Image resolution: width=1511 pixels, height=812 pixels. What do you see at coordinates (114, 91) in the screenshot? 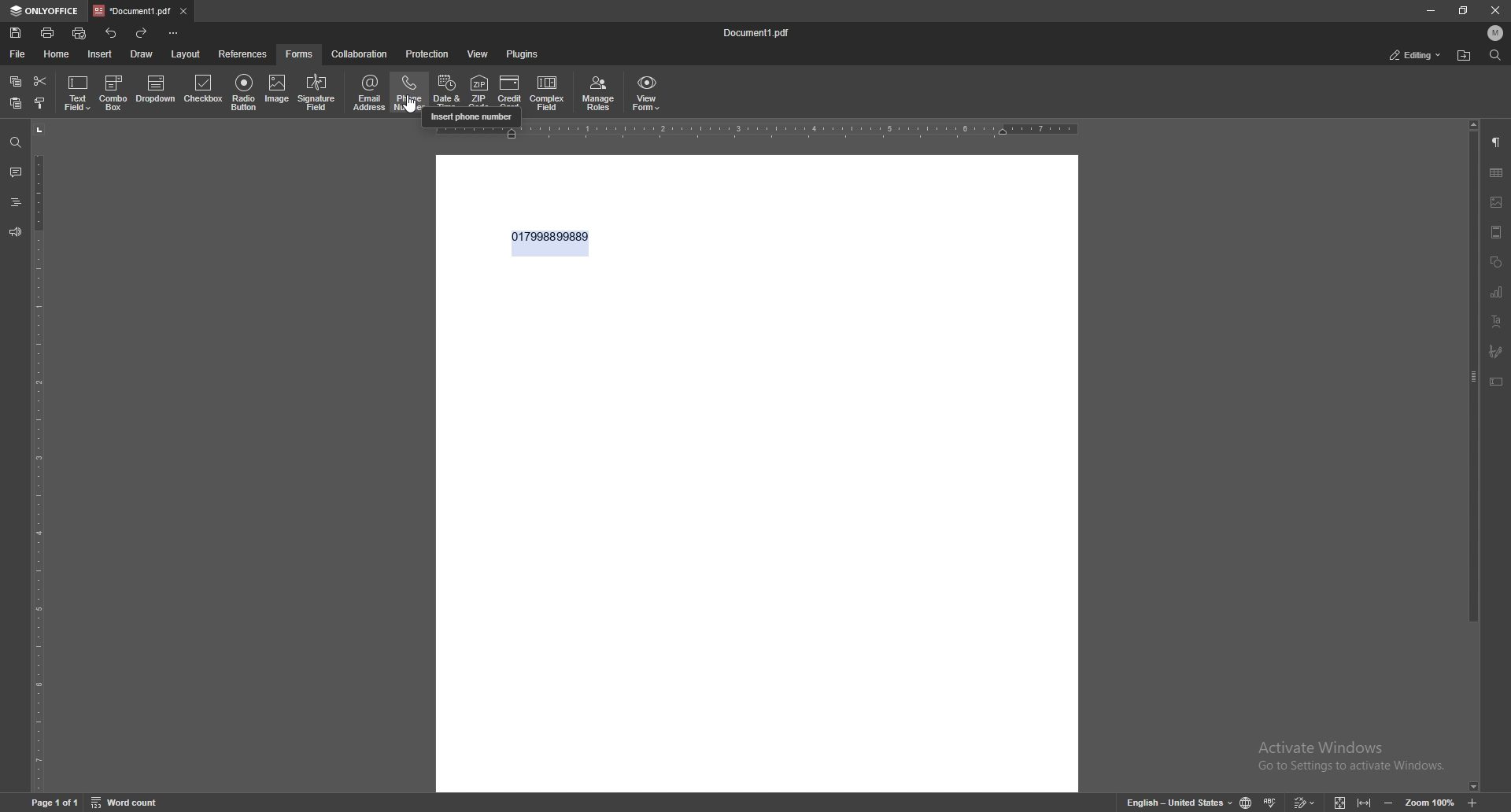
I see `combo box` at bounding box center [114, 91].